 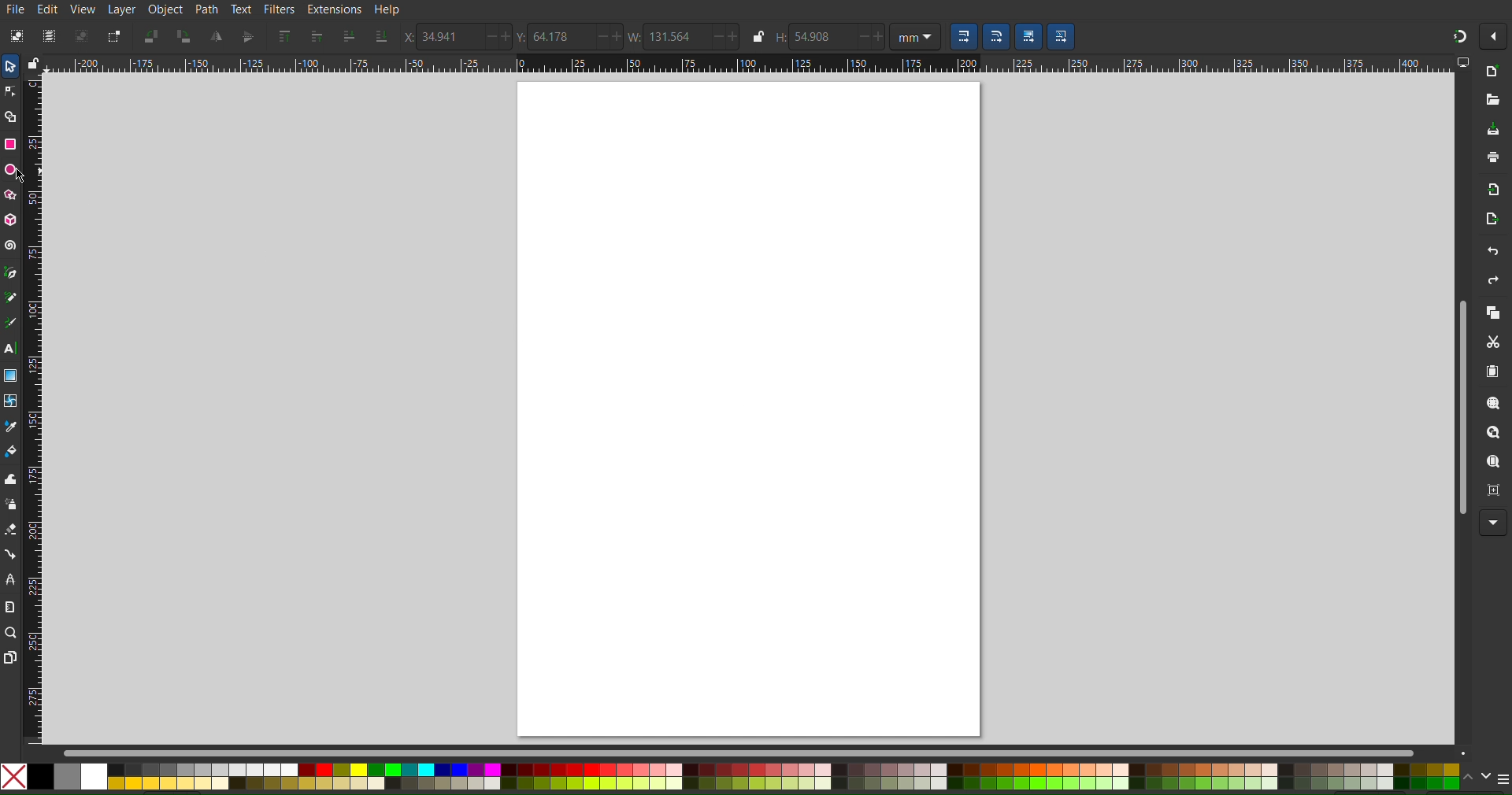 I want to click on Height, so click(x=780, y=40).